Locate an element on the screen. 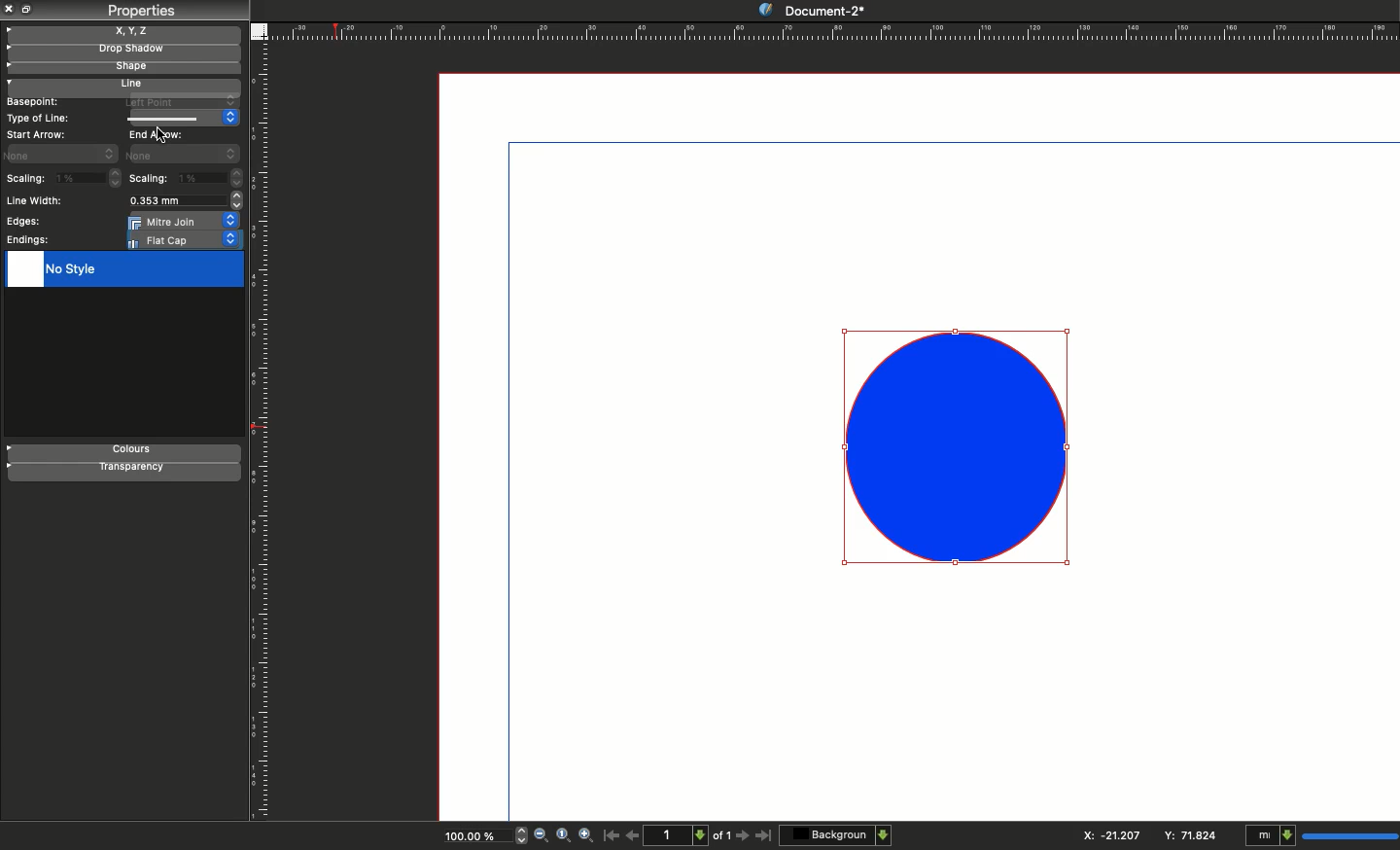  None is located at coordinates (62, 153).